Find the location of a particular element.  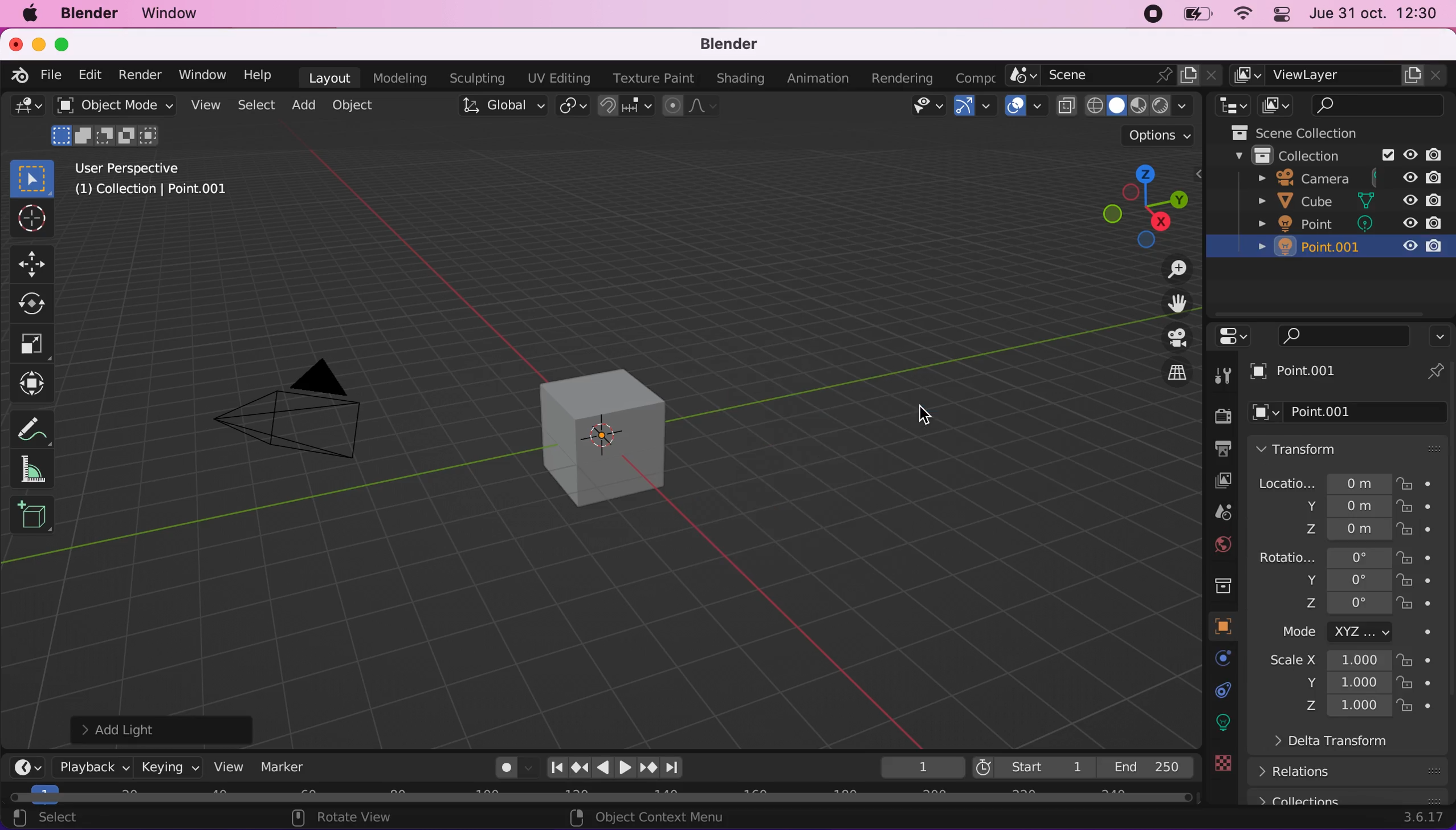

hide in viewpoint is located at coordinates (1410, 200).